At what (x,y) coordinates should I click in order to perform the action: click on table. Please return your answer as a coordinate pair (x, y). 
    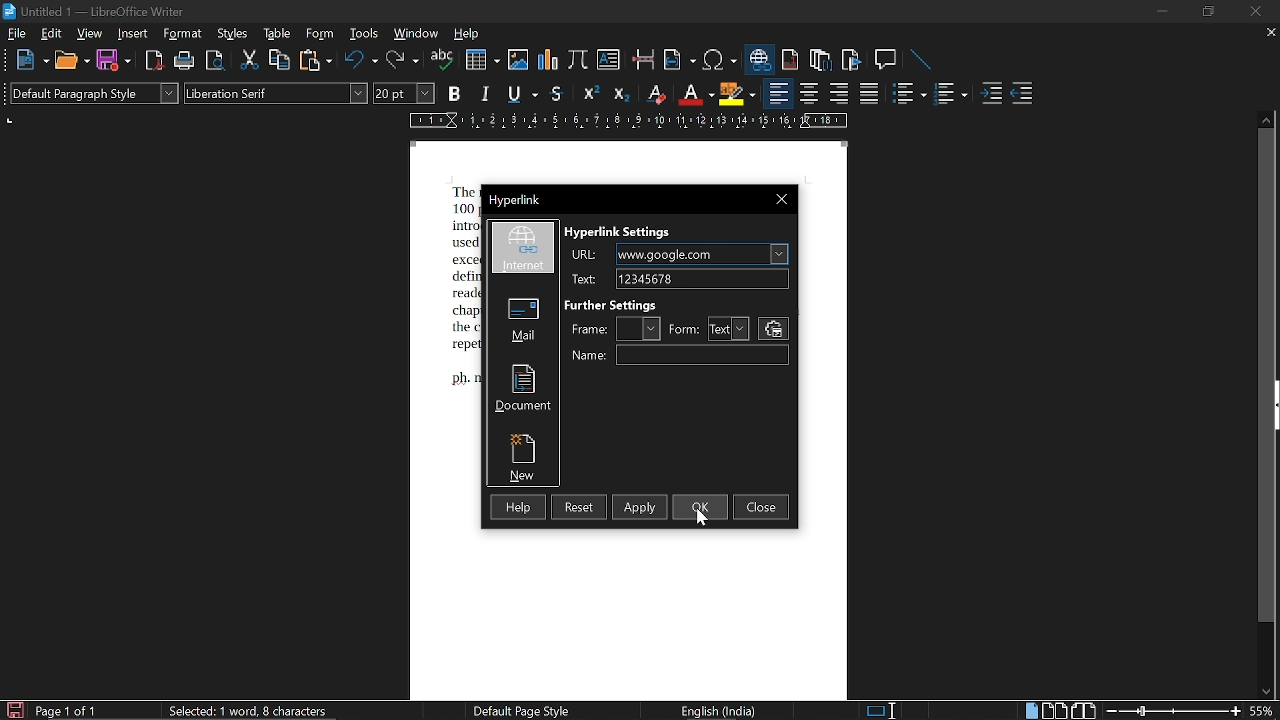
    Looking at the image, I should click on (278, 35).